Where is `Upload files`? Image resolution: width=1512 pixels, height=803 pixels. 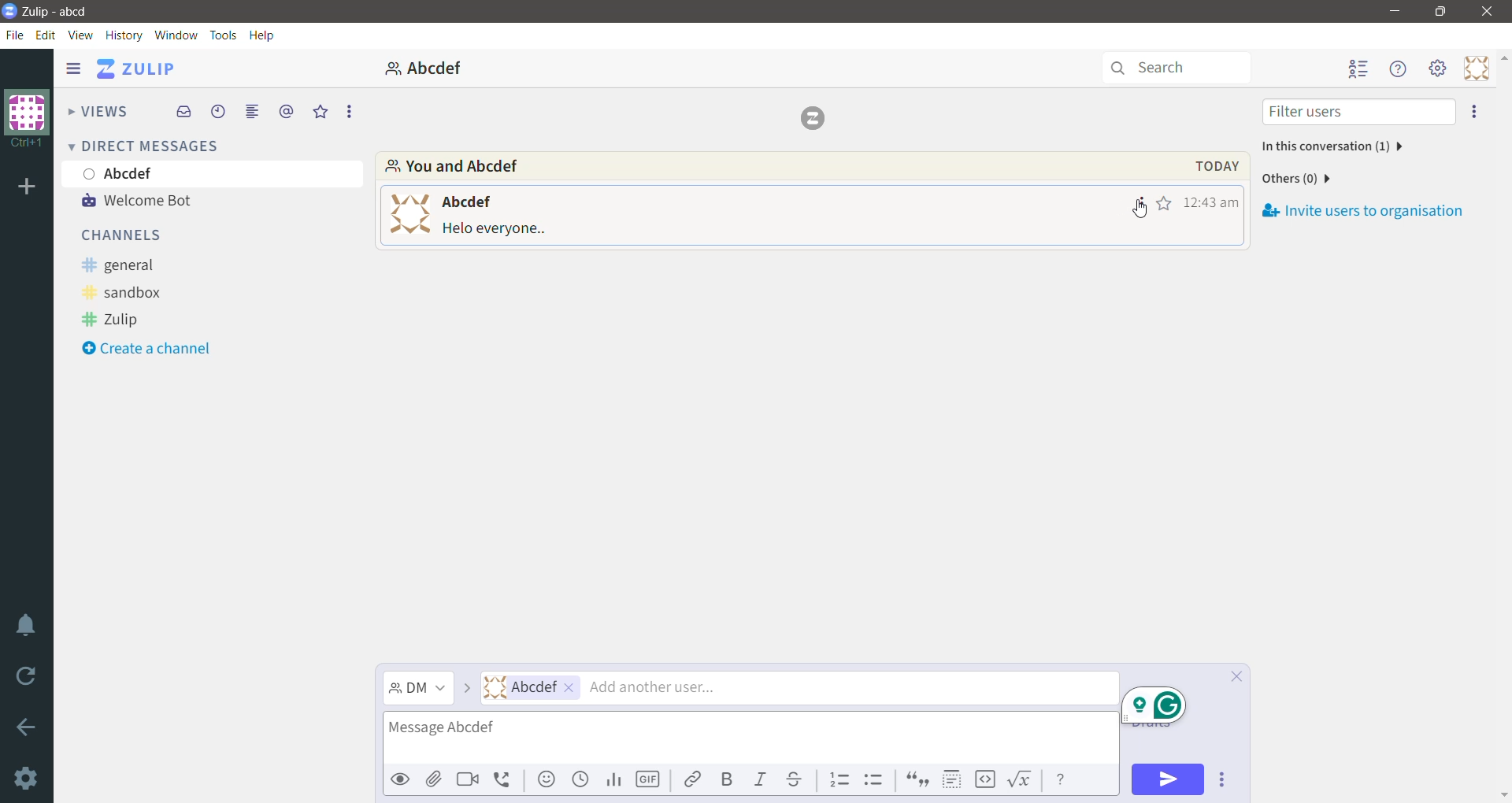 Upload files is located at coordinates (434, 779).